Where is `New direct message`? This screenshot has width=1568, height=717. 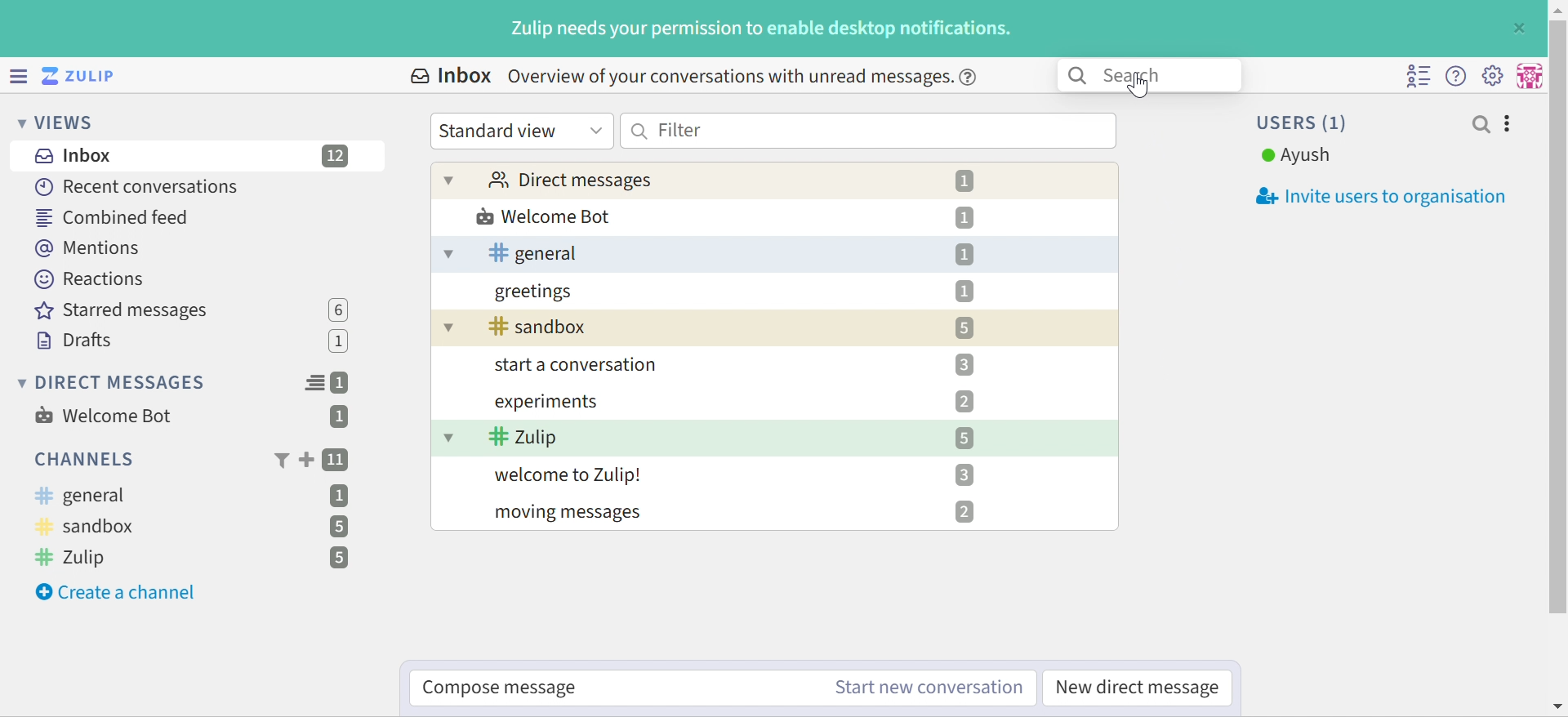
New direct message is located at coordinates (1138, 688).